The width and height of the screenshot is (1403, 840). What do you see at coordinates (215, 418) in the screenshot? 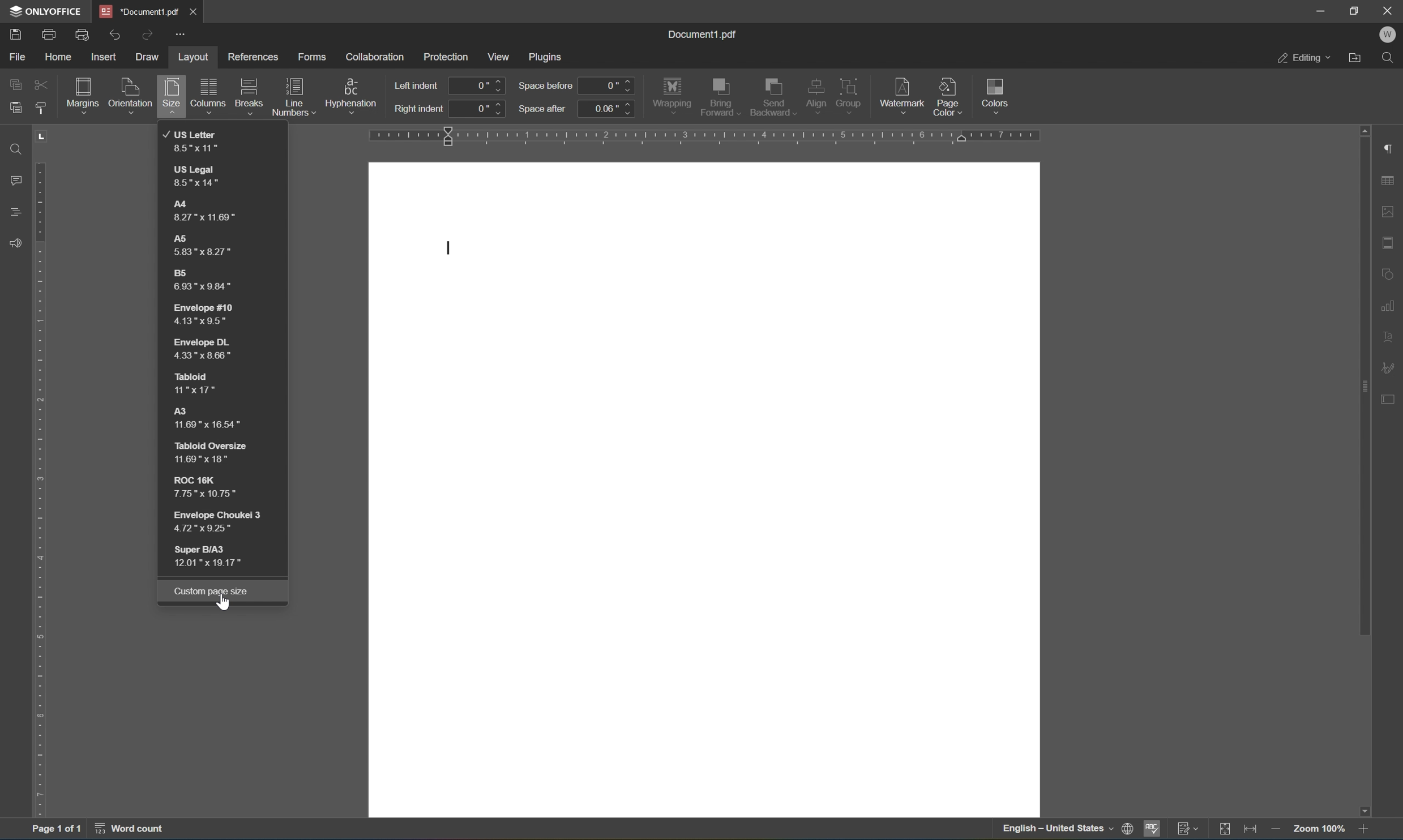
I see `A3` at bounding box center [215, 418].